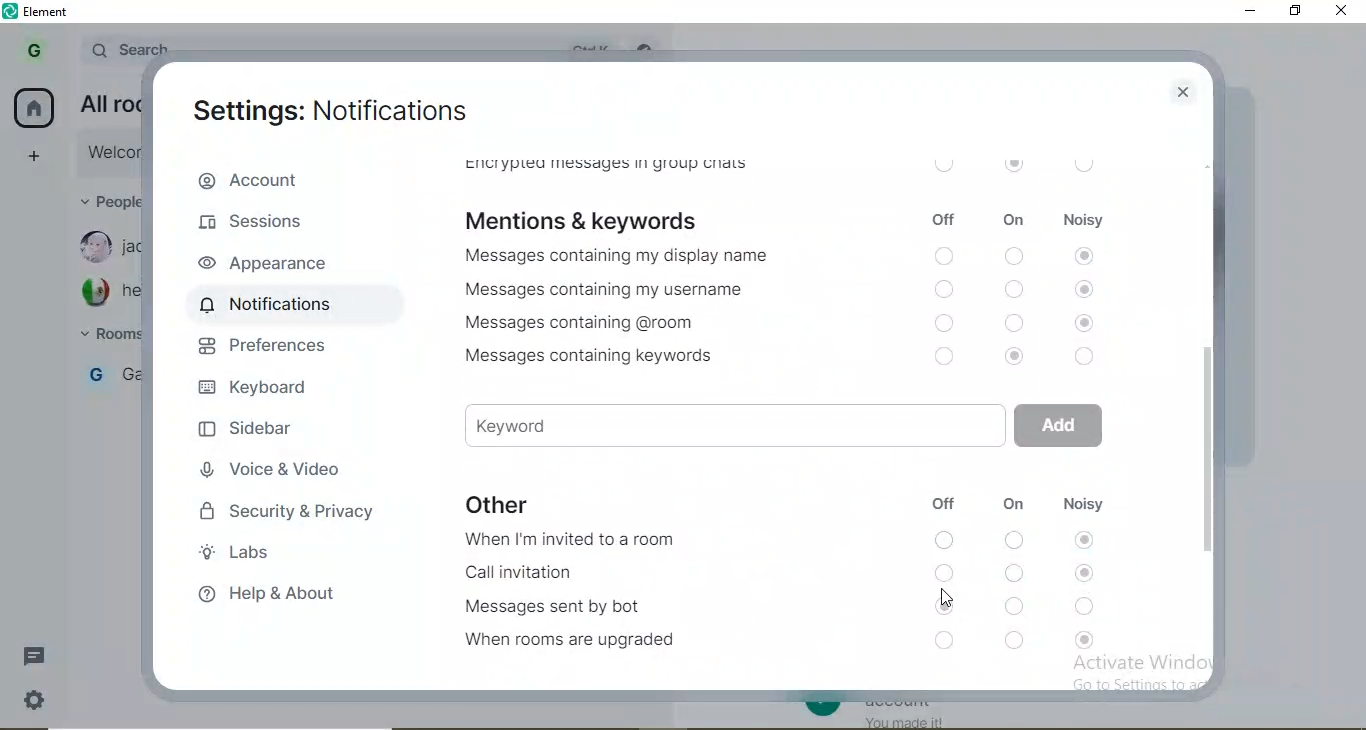 The width and height of the screenshot is (1366, 730). I want to click on messages, so click(41, 656).